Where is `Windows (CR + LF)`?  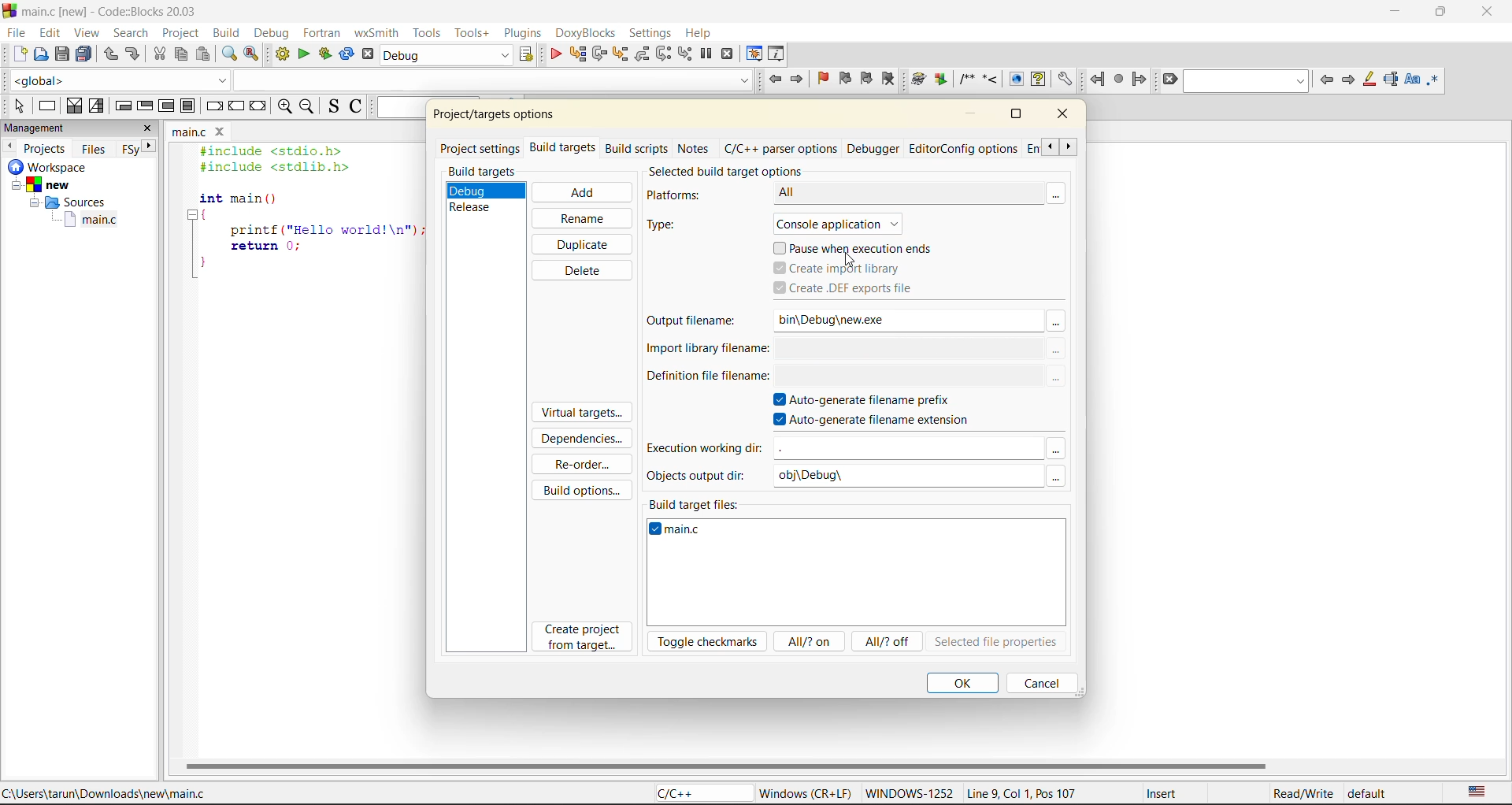
Windows (CR + LF) is located at coordinates (806, 792).